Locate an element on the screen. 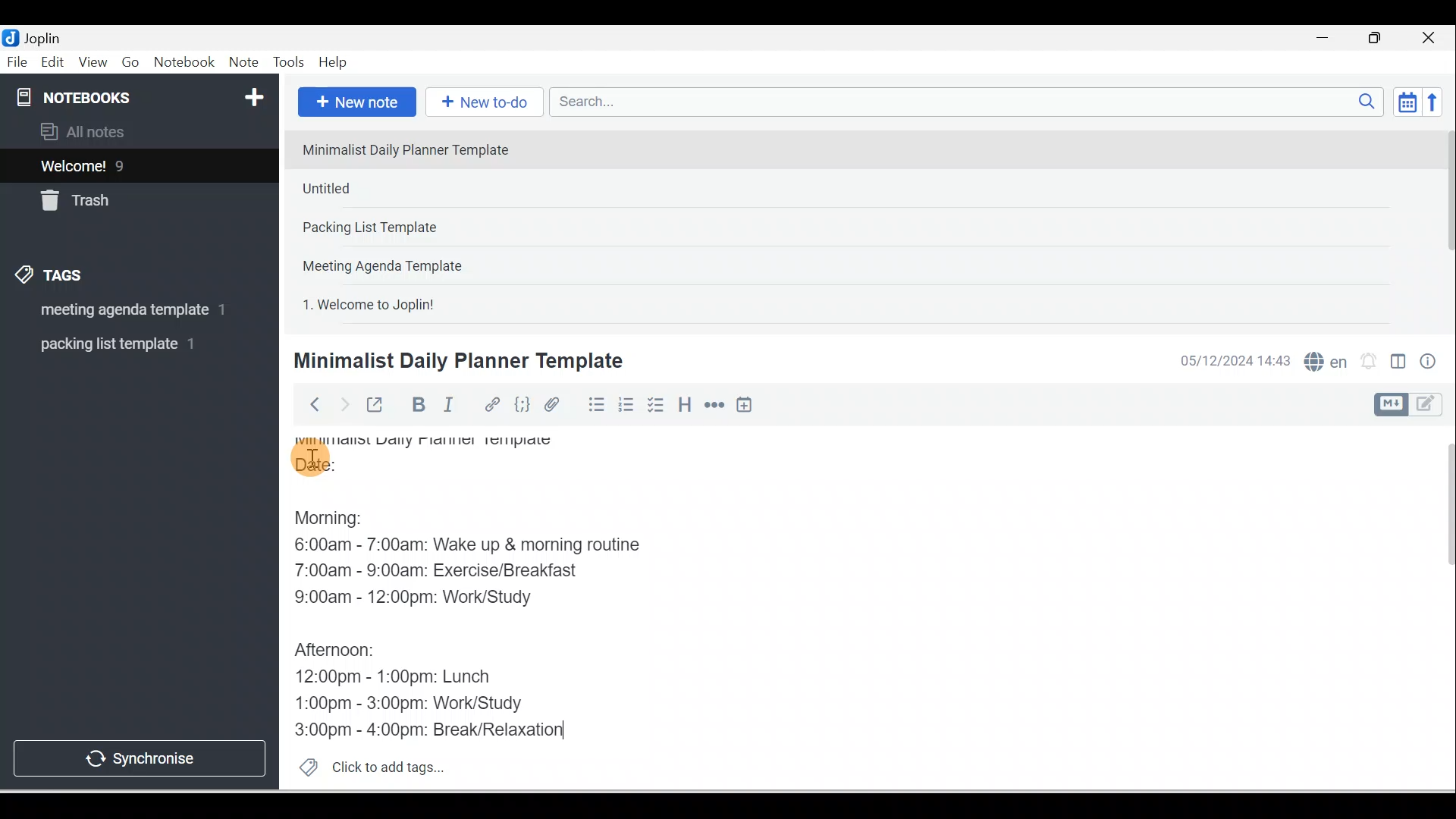 The image size is (1456, 819). Minimalist Daily Planner Template is located at coordinates (456, 361).